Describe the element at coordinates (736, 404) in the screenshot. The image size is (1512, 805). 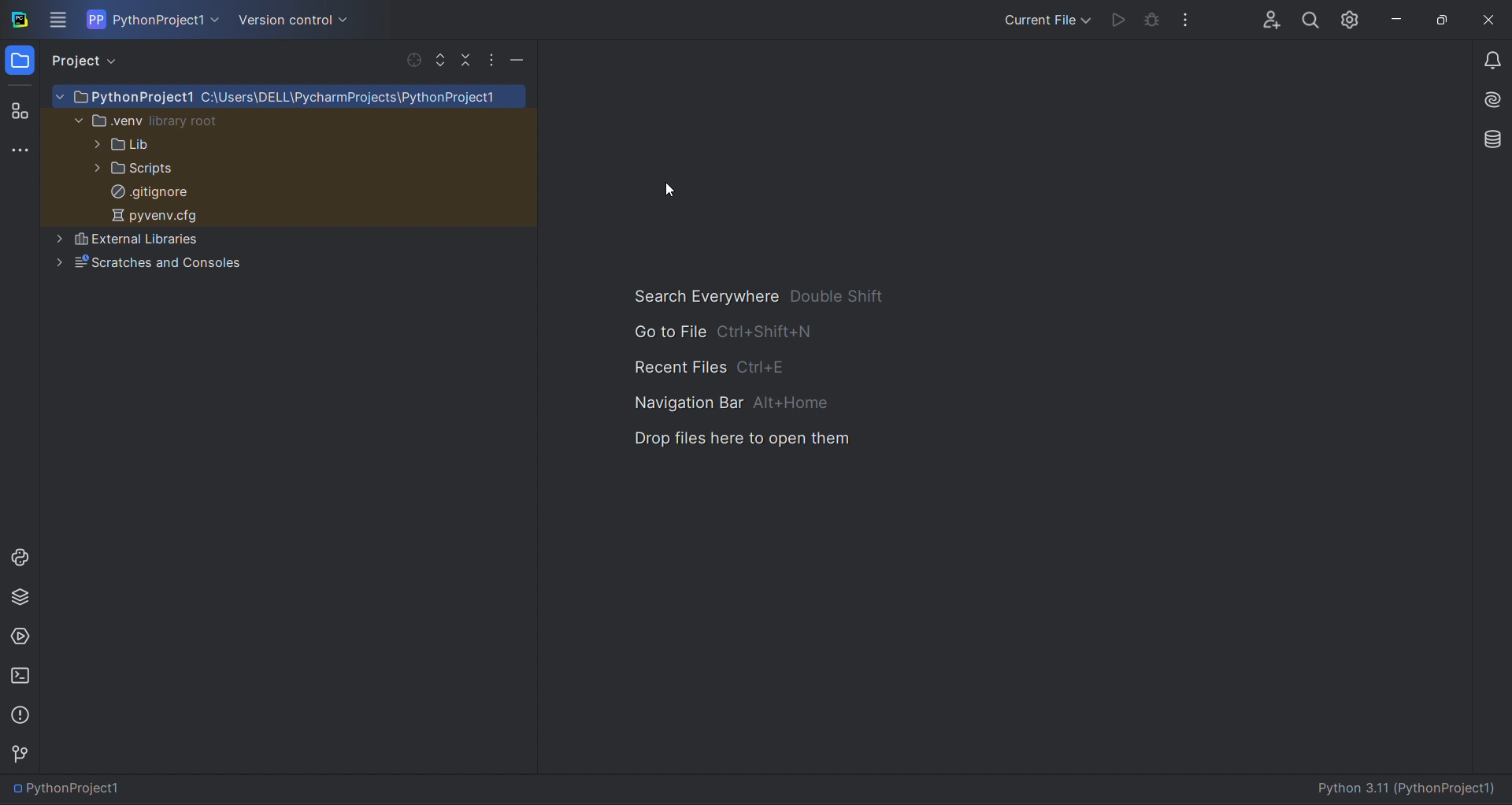
I see `Navigation Bar` at that location.